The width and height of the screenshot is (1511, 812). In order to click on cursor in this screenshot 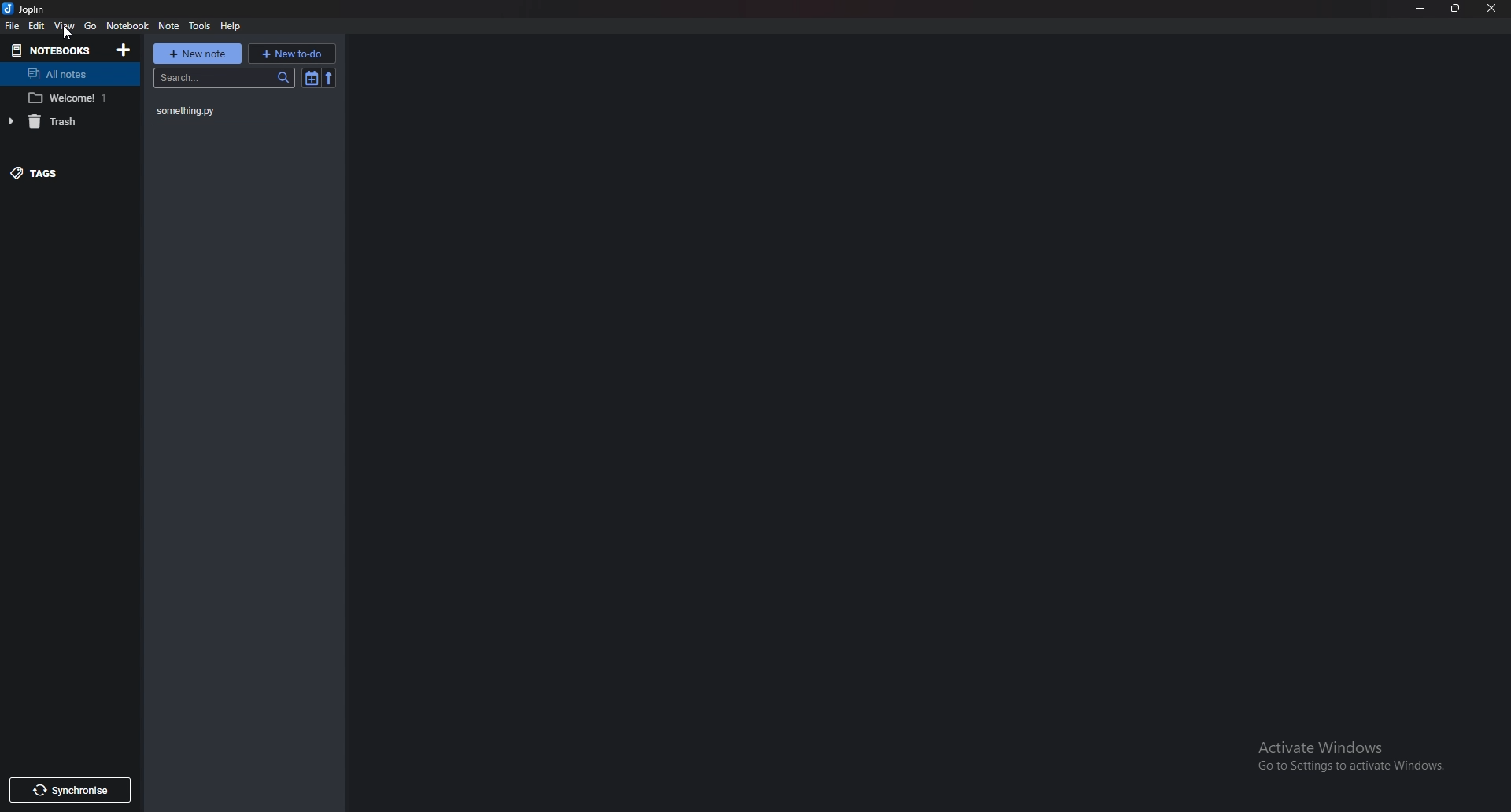, I will do `click(69, 36)`.